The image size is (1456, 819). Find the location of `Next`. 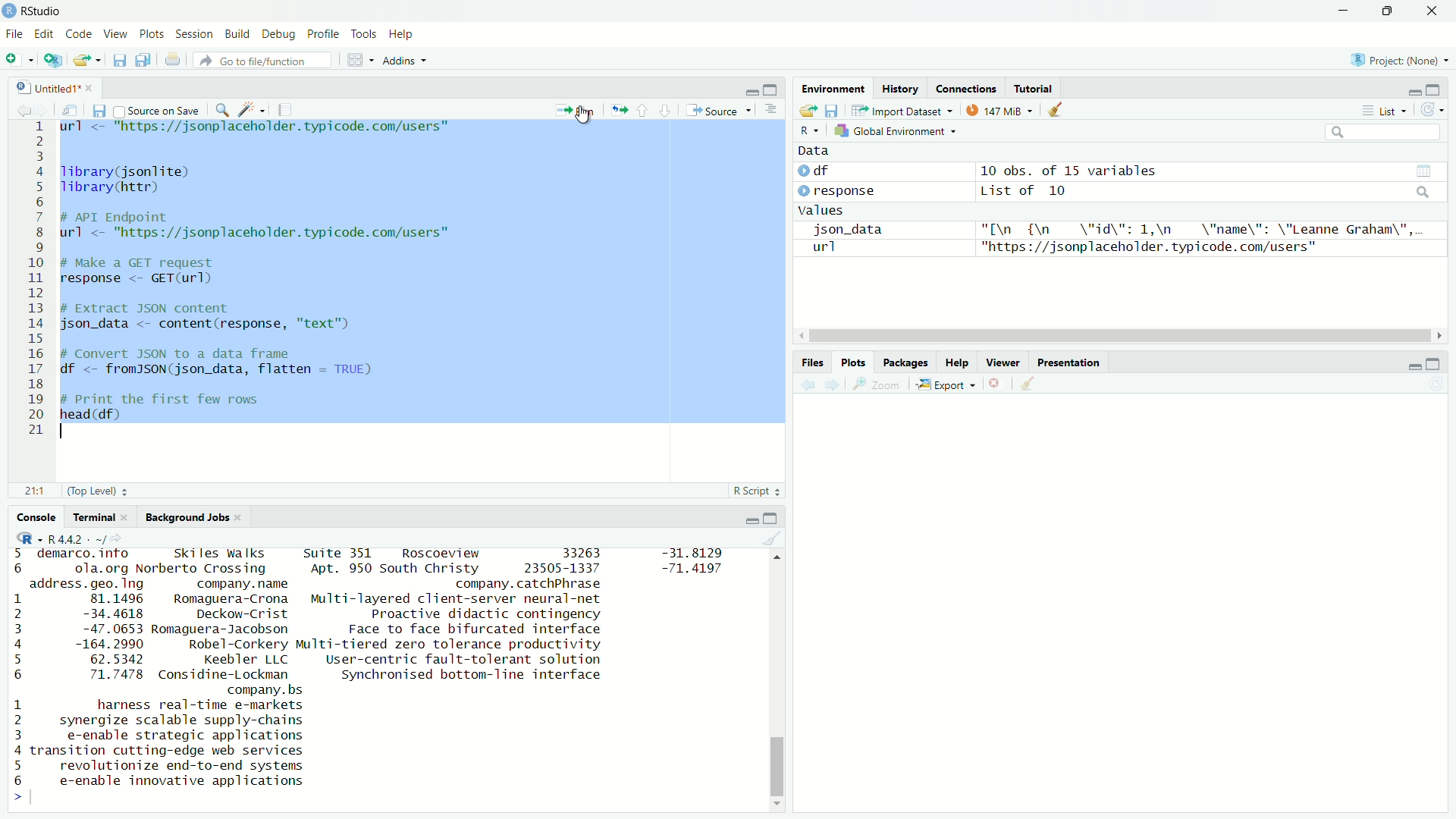

Next is located at coordinates (42, 111).